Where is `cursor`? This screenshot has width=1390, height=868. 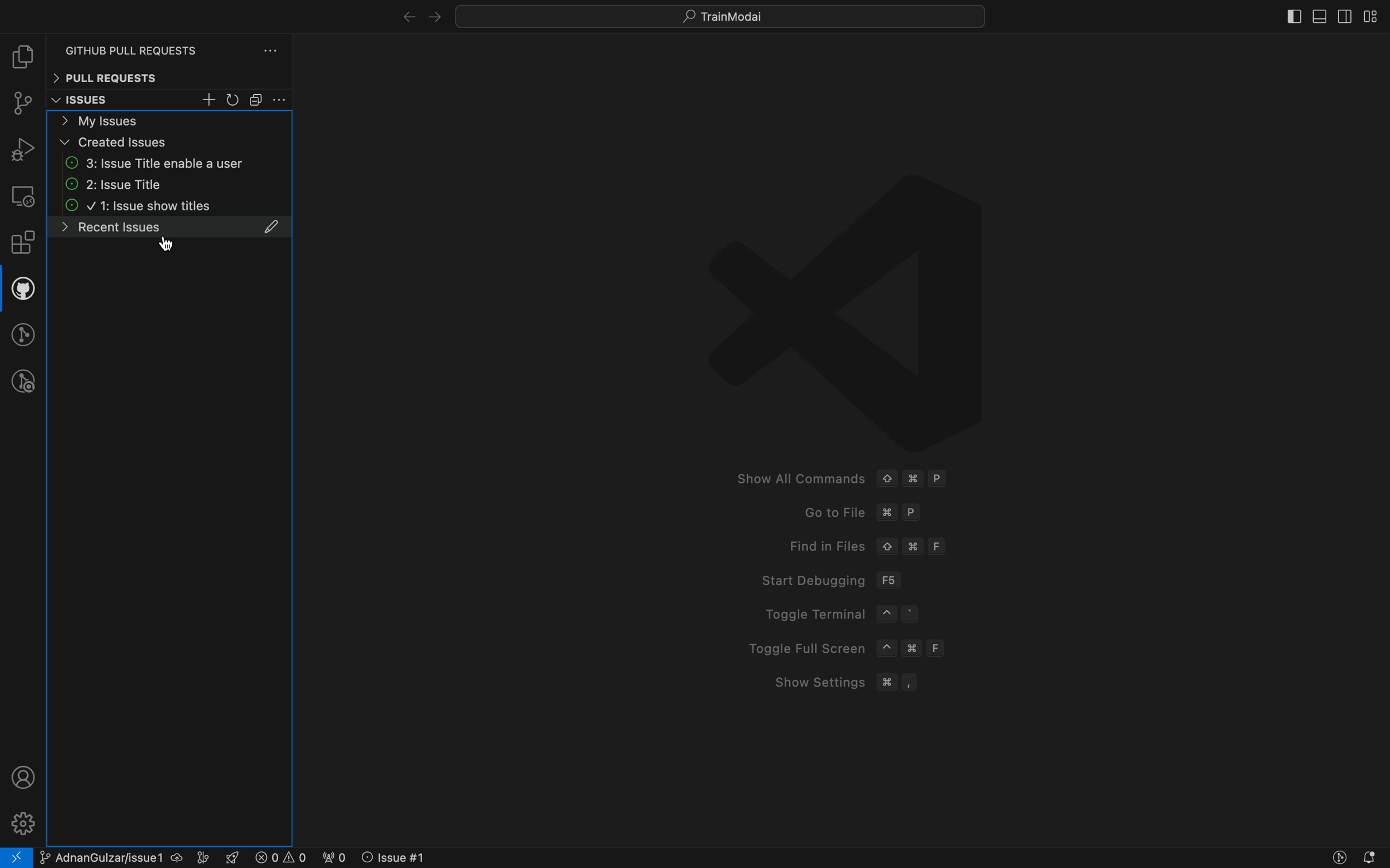
cursor is located at coordinates (166, 243).